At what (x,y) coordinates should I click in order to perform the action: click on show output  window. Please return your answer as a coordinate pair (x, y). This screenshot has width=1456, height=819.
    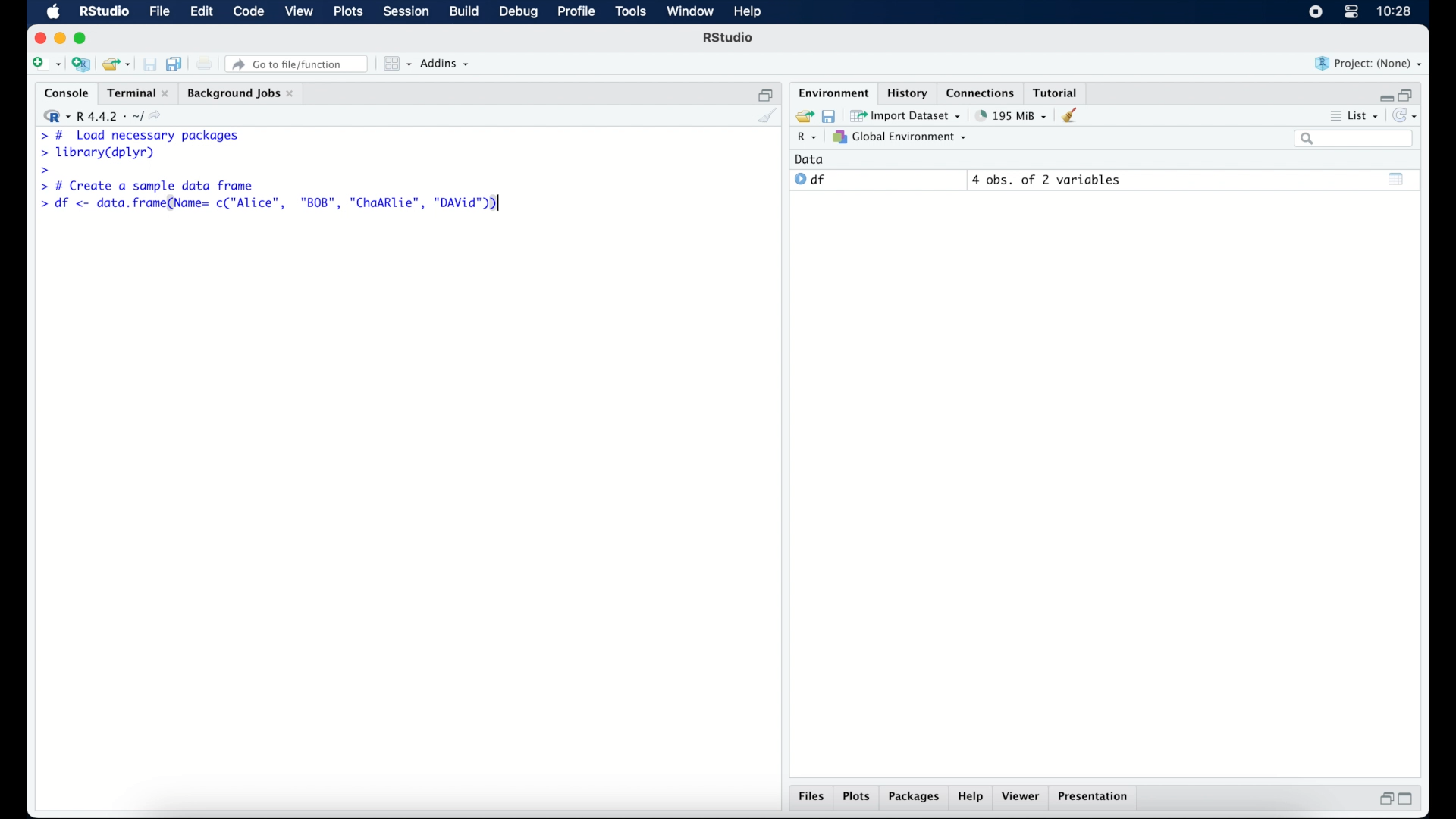
    Looking at the image, I should click on (1397, 178).